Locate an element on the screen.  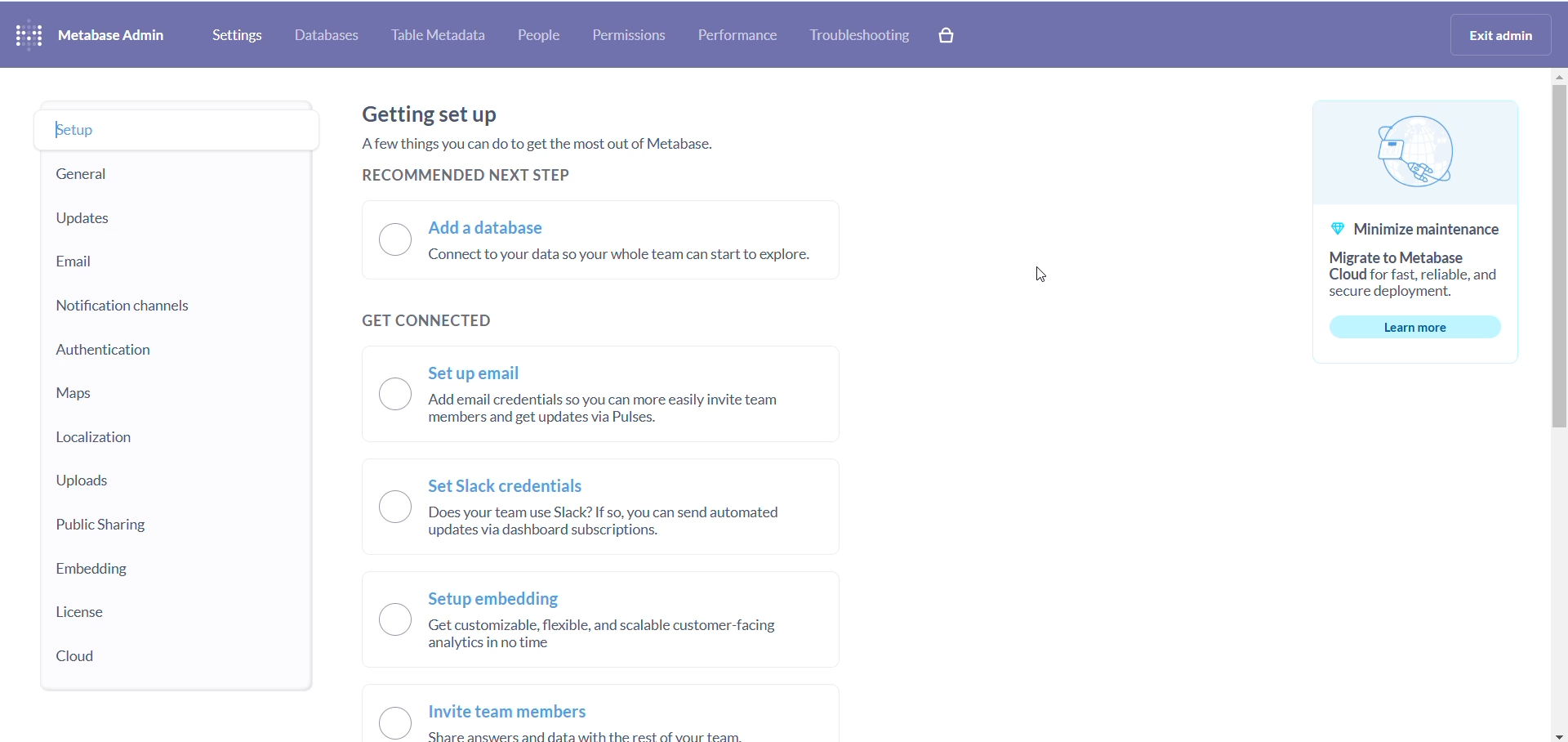
general is located at coordinates (82, 176).